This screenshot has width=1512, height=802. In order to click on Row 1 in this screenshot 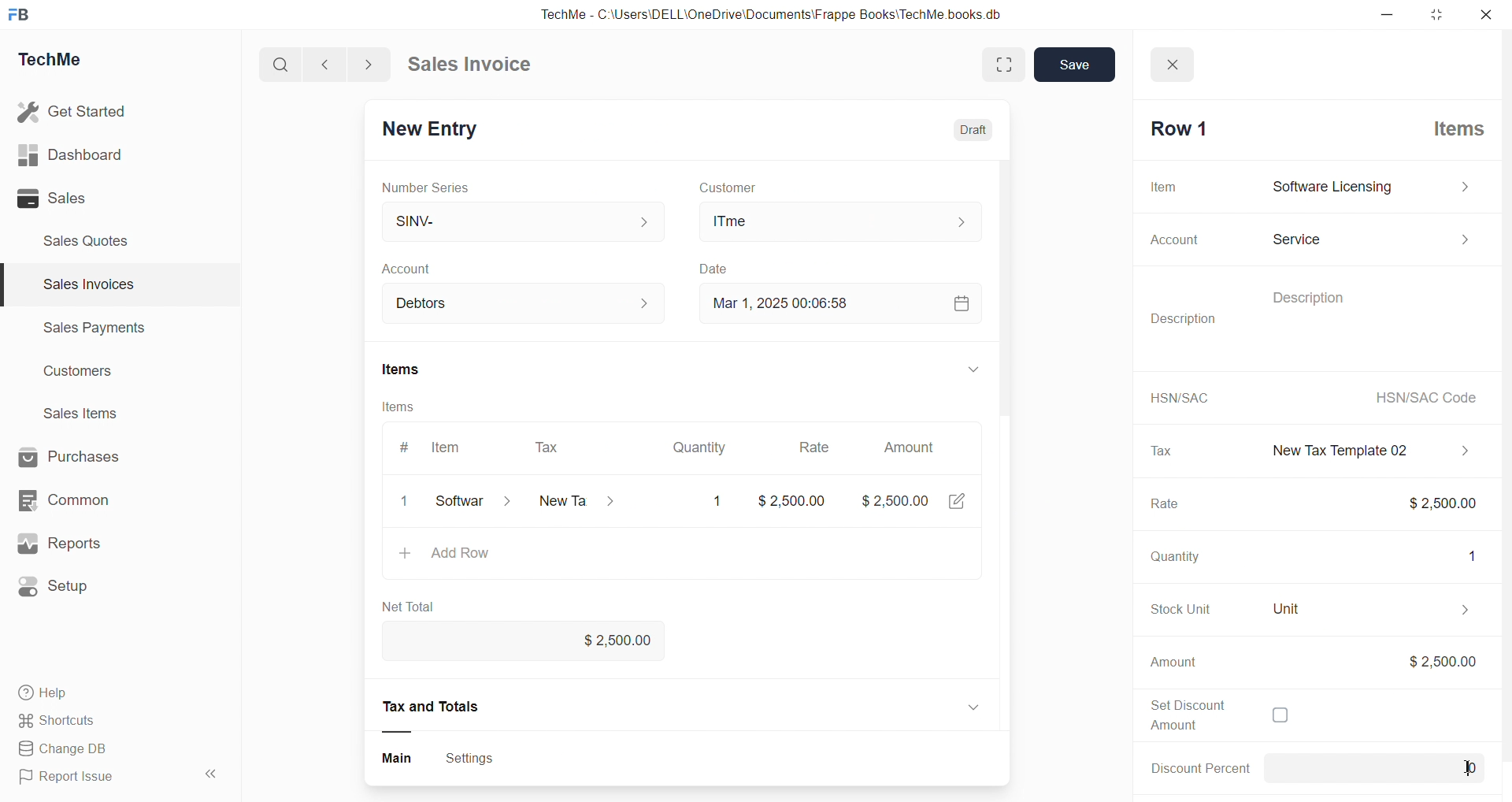, I will do `click(1175, 128)`.